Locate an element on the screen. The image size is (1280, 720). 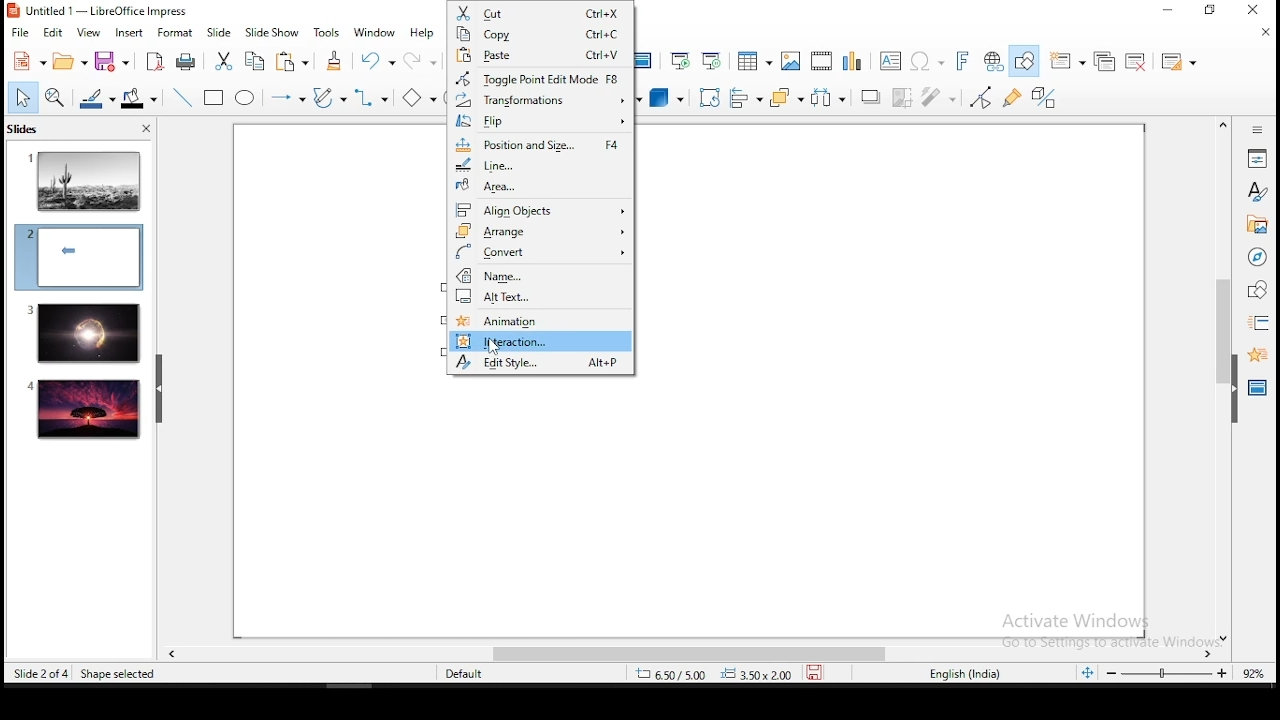
rectangle is located at coordinates (215, 99).